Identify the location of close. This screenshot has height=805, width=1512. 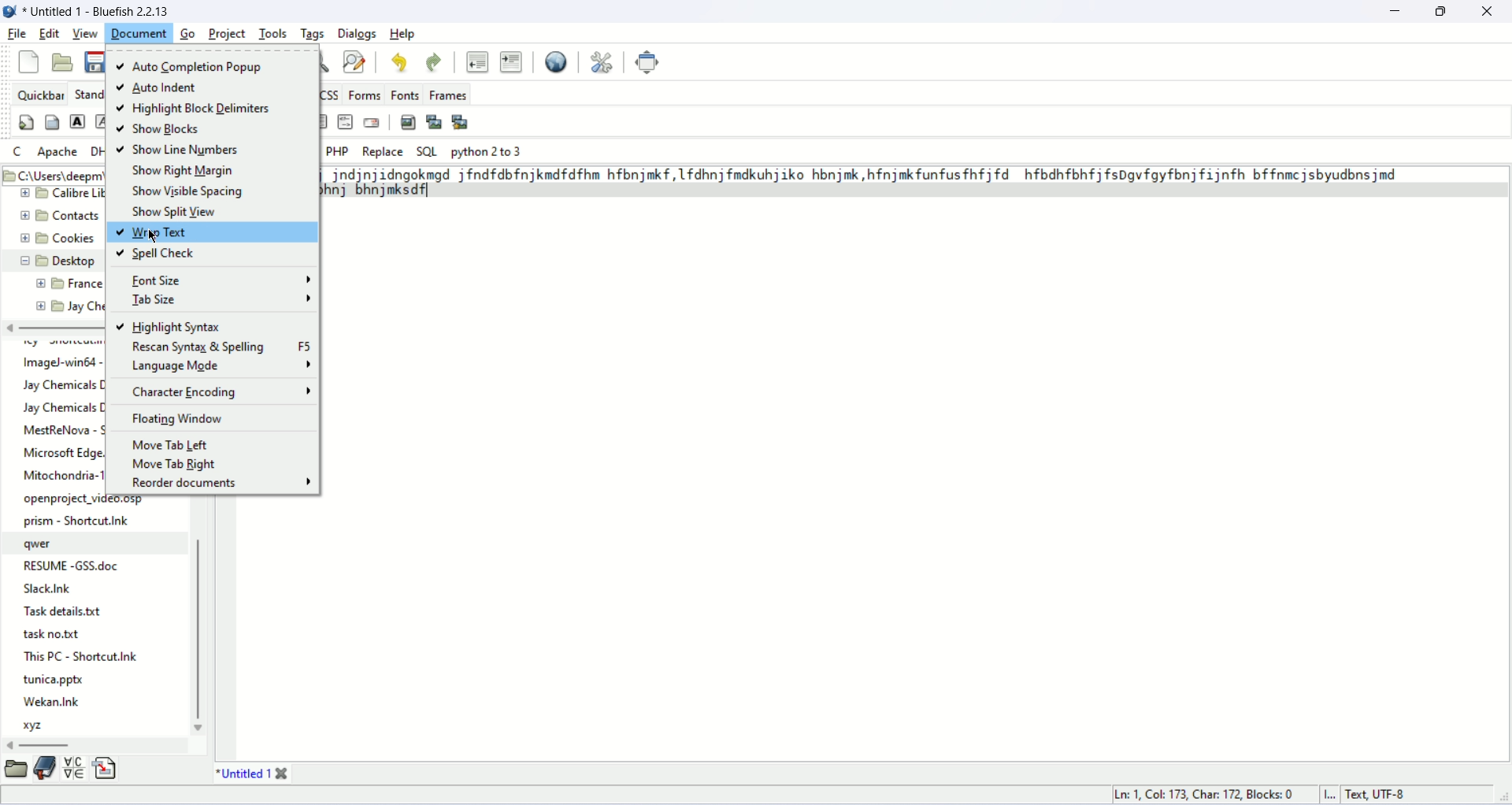
(287, 769).